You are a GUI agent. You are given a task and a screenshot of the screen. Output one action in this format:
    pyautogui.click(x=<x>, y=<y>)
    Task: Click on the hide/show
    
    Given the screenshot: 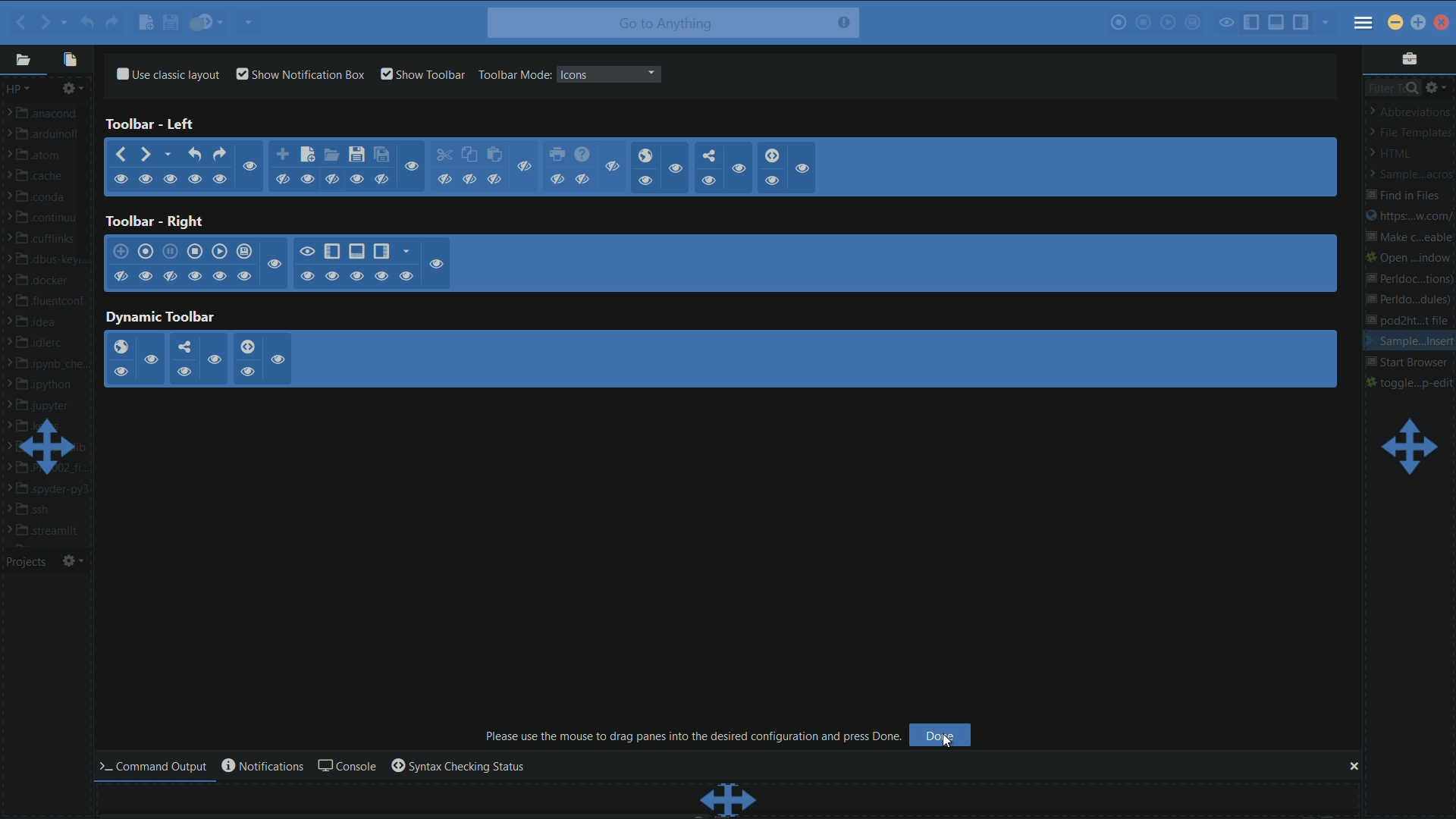 What is the action you would take?
    pyautogui.click(x=152, y=359)
    